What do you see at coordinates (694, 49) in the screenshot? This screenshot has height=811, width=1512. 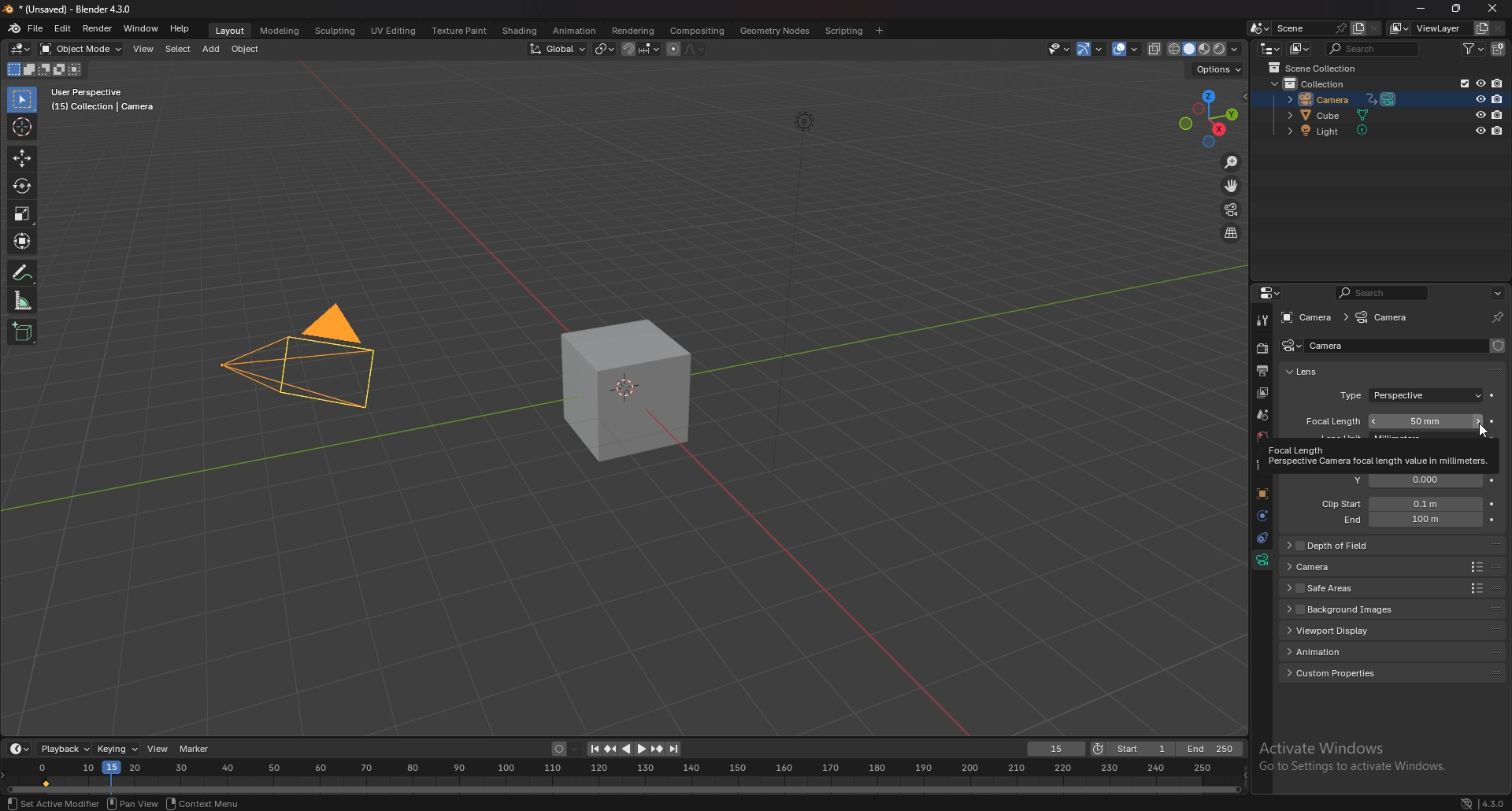 I see `proportional editing falloff` at bounding box center [694, 49].